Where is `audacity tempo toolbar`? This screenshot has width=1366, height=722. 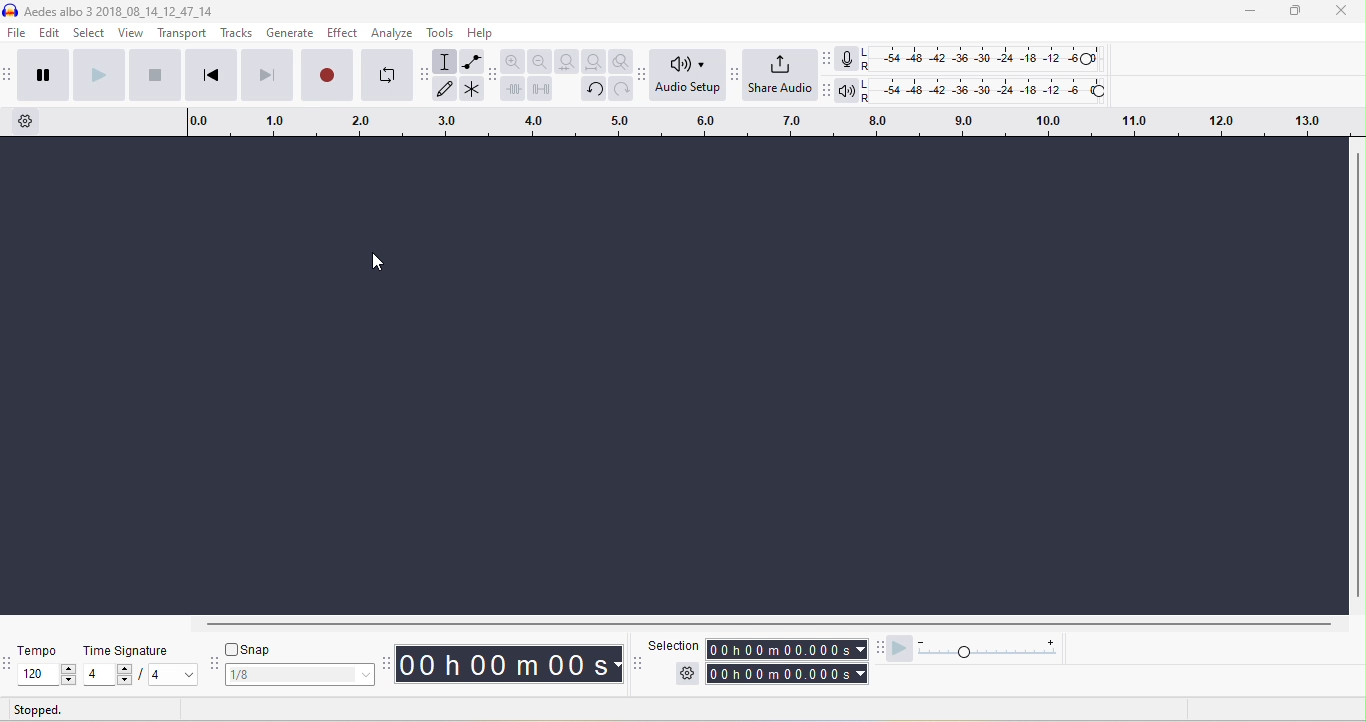 audacity tempo toolbar is located at coordinates (9, 665).